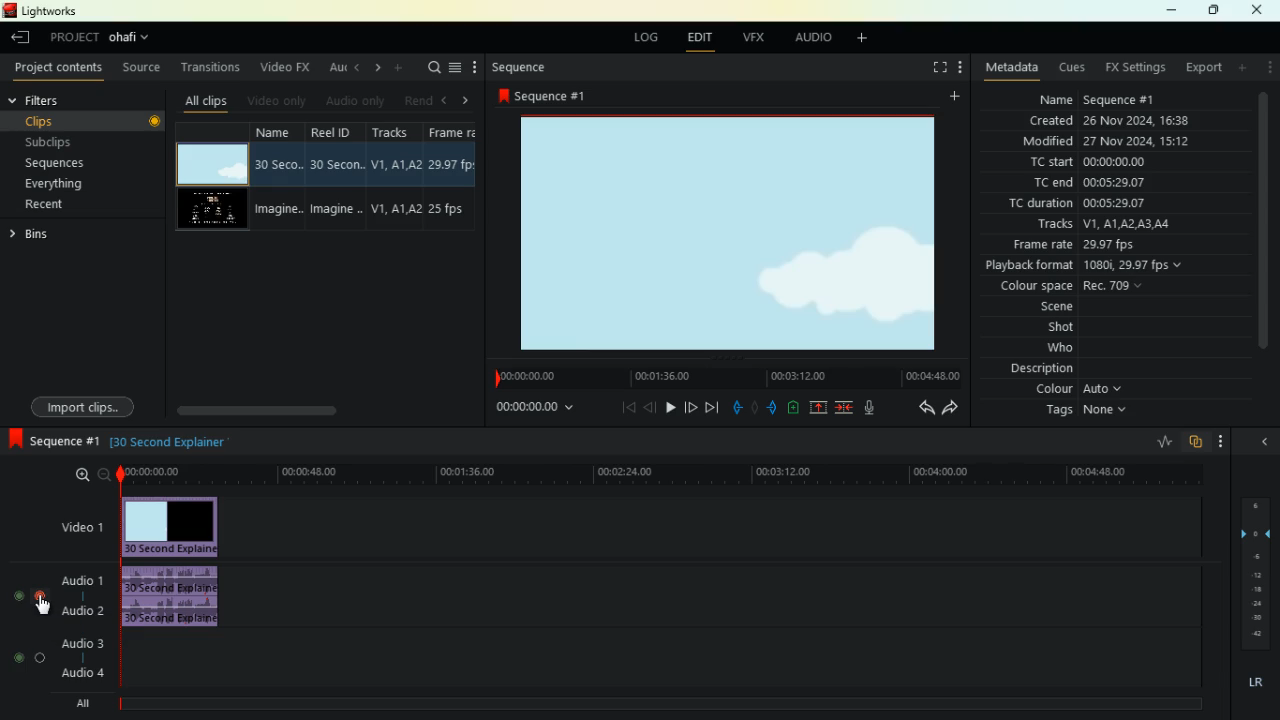 This screenshot has height=720, width=1280. I want to click on all clips, so click(206, 100).